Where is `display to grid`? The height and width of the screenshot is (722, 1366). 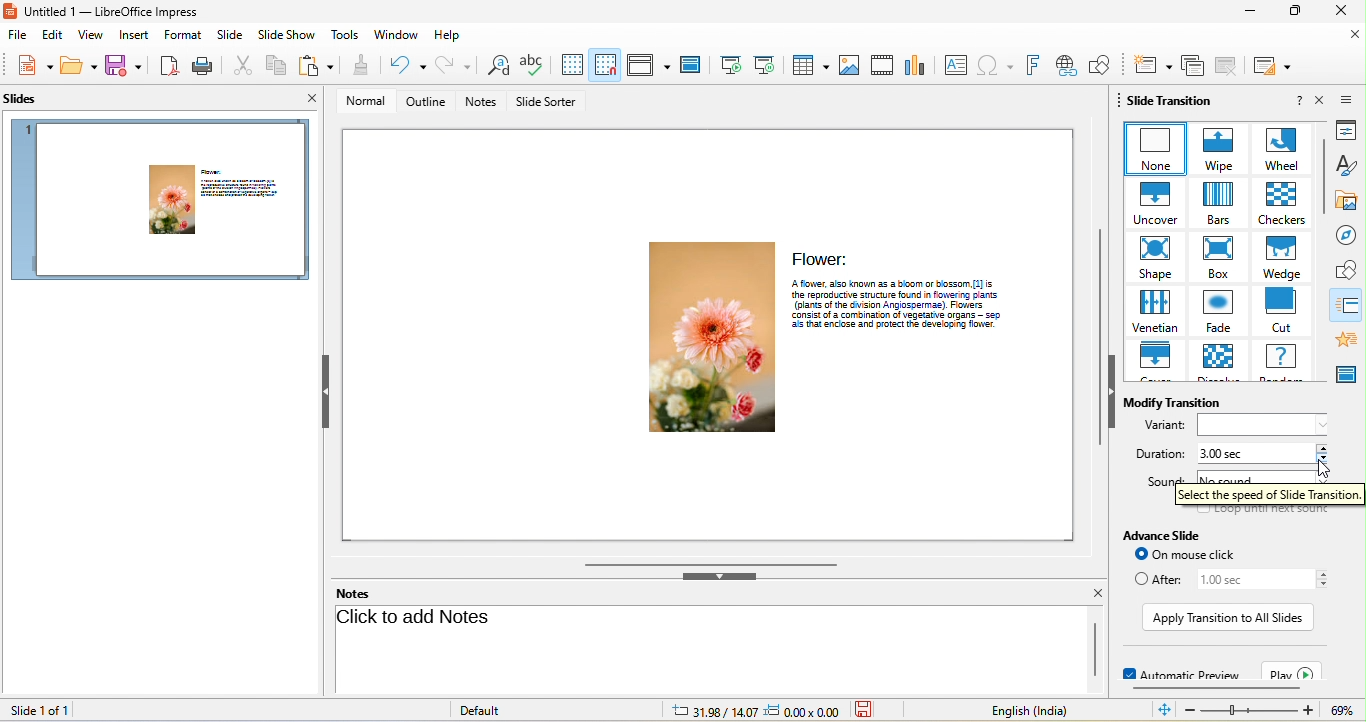 display to grid is located at coordinates (567, 65).